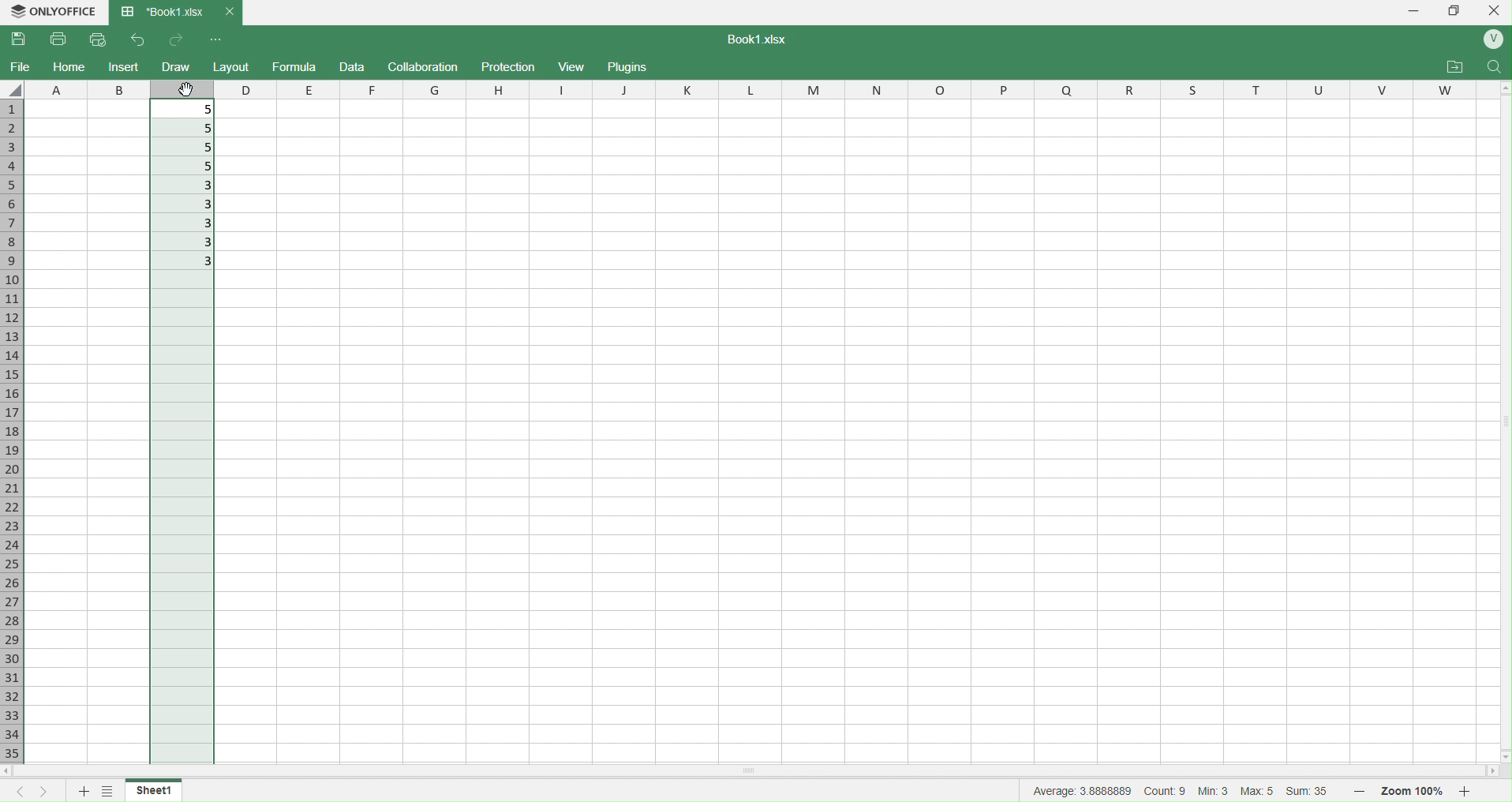 This screenshot has height=802, width=1512. What do you see at coordinates (753, 39) in the screenshot?
I see `Text` at bounding box center [753, 39].